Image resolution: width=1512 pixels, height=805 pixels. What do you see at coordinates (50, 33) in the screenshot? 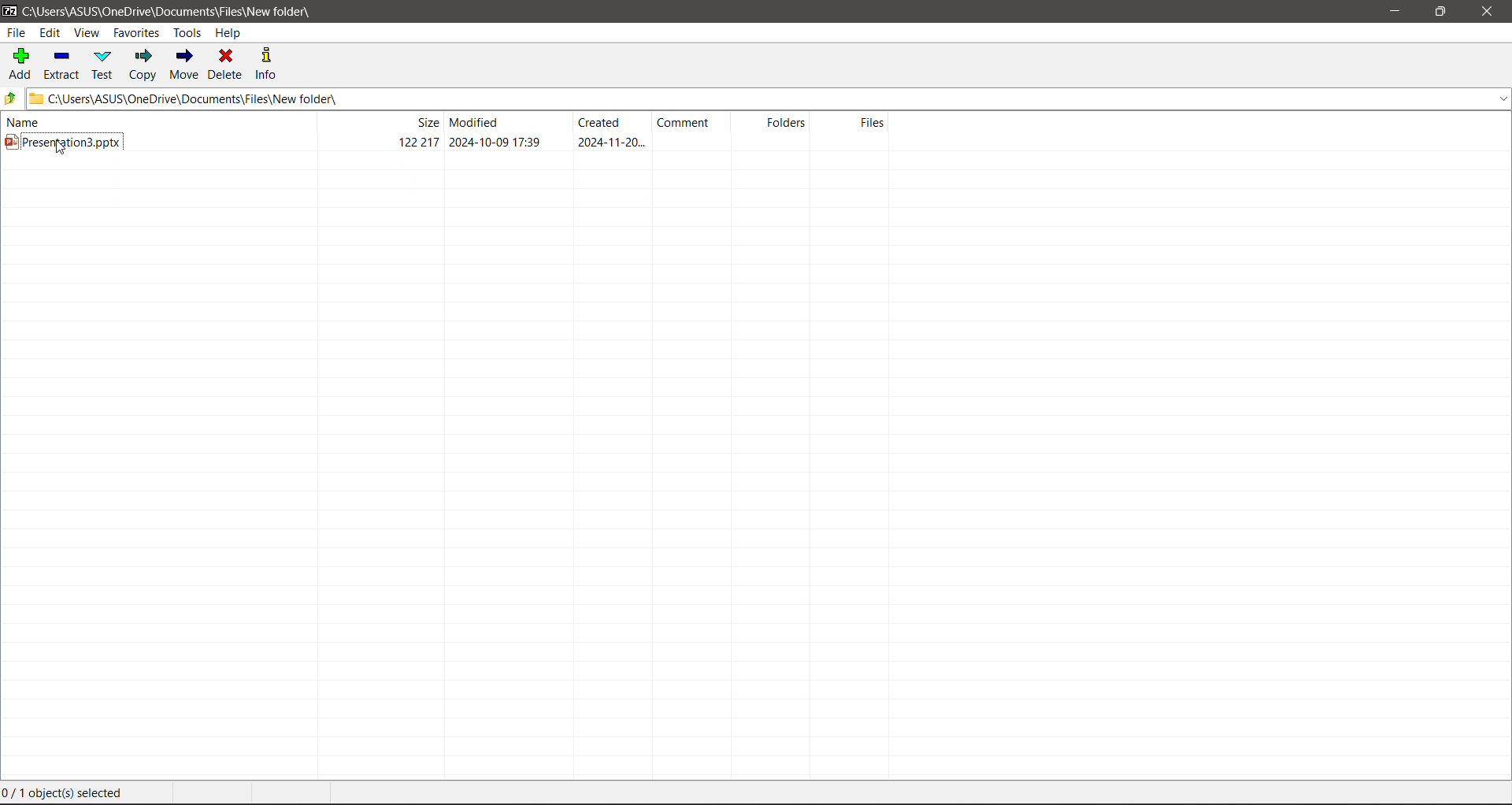
I see `Edit` at bounding box center [50, 33].